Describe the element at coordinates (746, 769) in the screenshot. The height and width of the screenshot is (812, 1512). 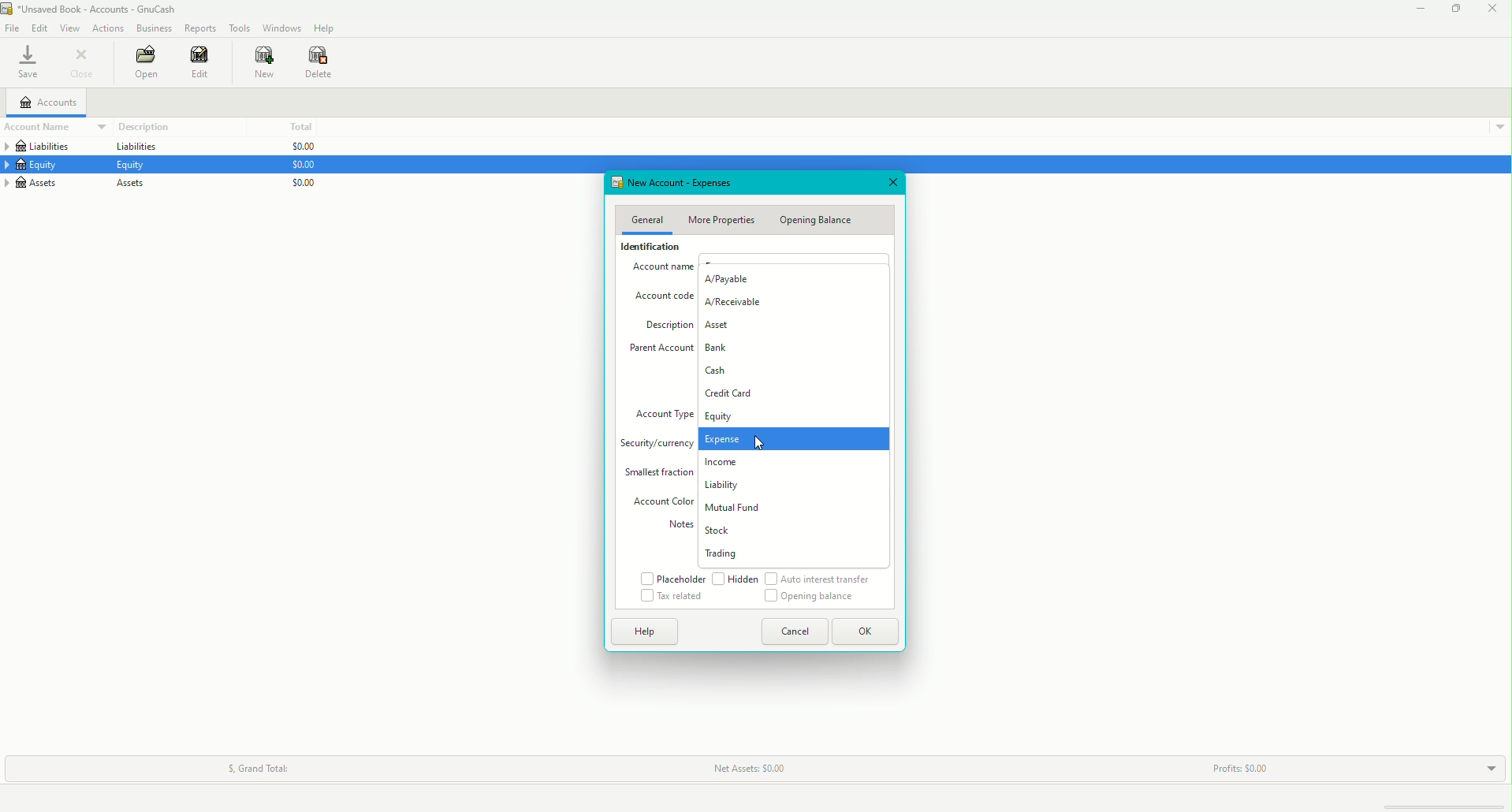
I see `Net Assets` at that location.